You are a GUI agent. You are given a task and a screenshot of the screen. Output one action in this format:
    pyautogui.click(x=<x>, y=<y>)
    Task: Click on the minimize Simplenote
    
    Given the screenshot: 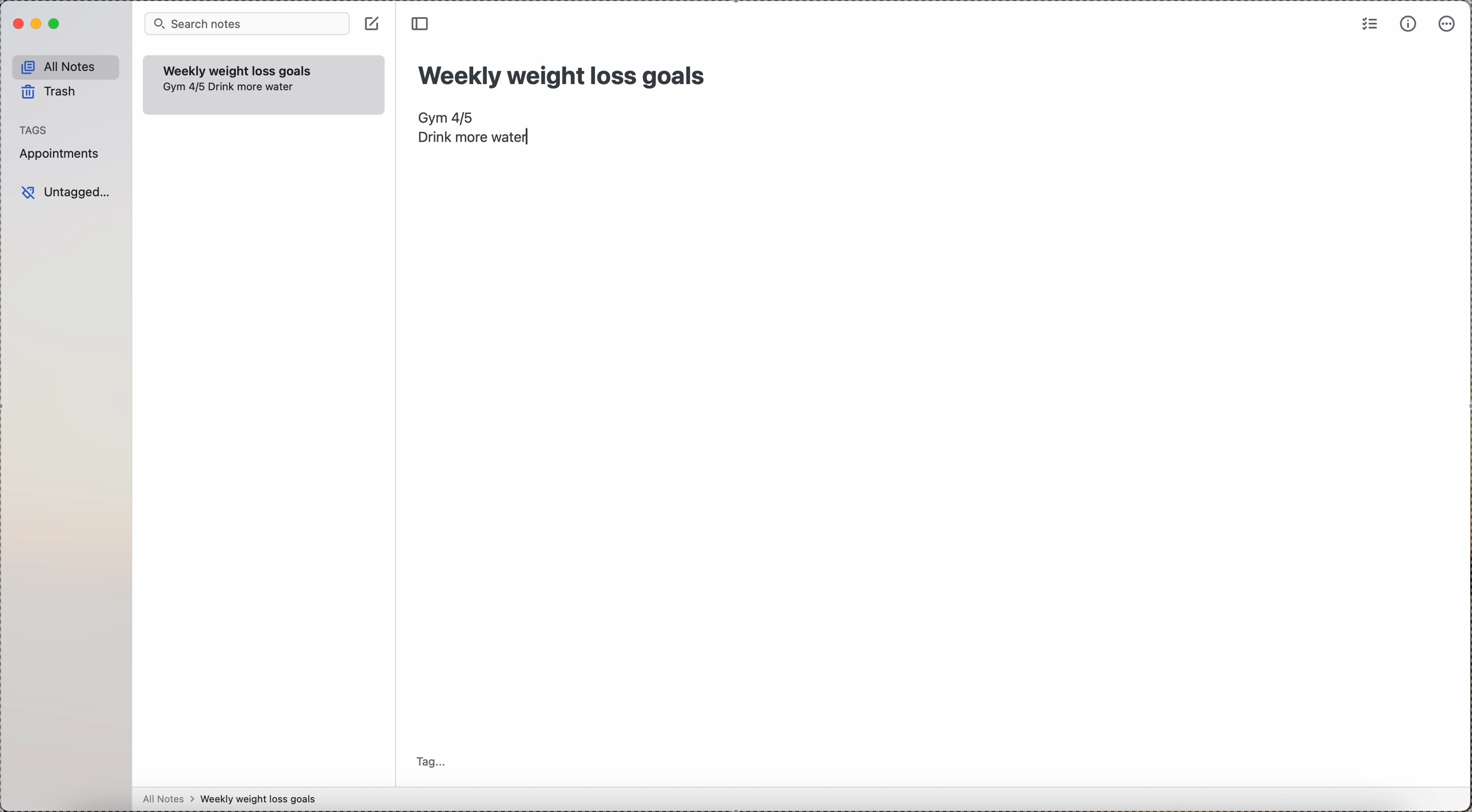 What is the action you would take?
    pyautogui.click(x=38, y=23)
    